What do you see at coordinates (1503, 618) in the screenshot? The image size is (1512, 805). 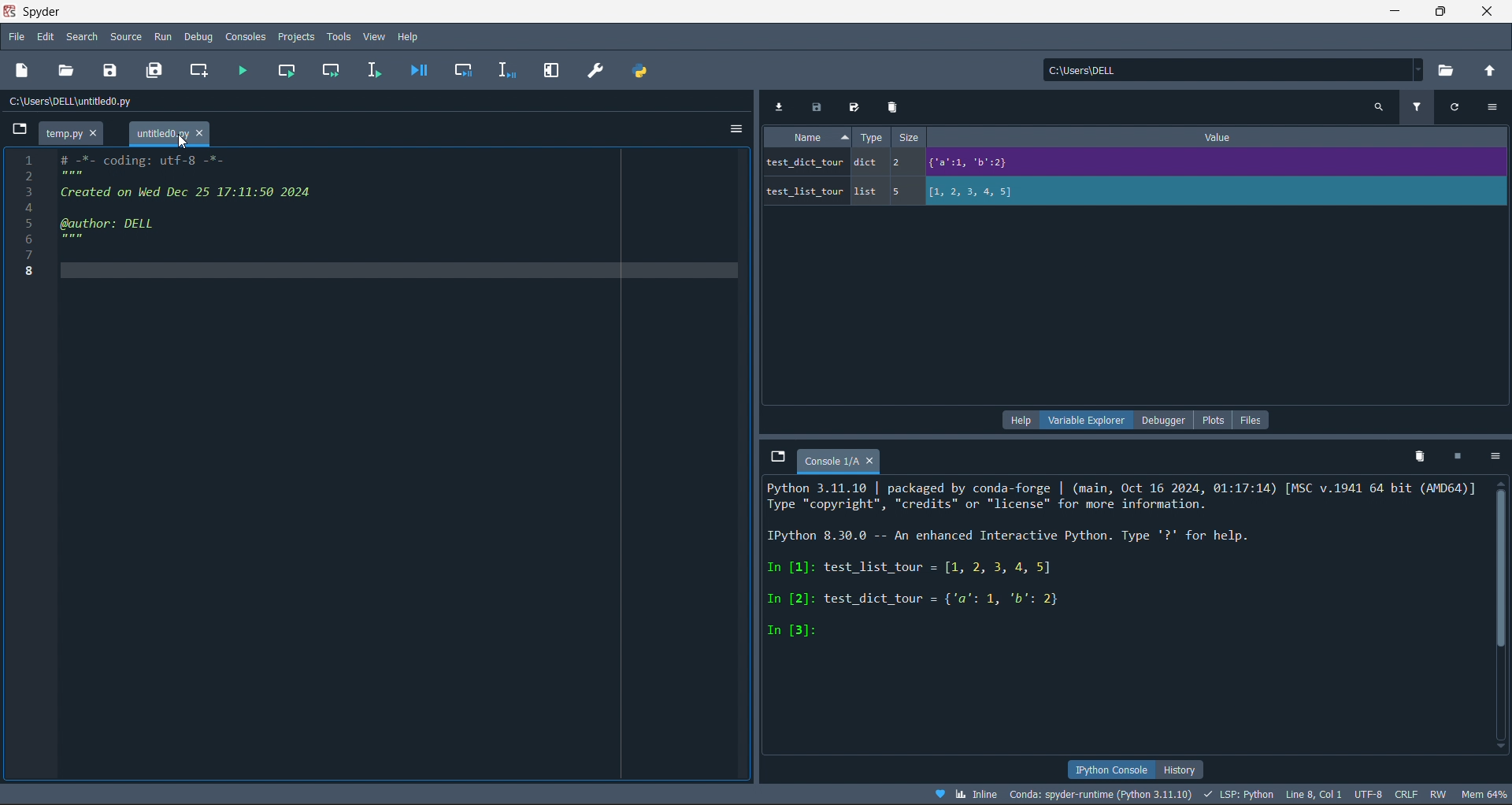 I see `scroll bar` at bounding box center [1503, 618].